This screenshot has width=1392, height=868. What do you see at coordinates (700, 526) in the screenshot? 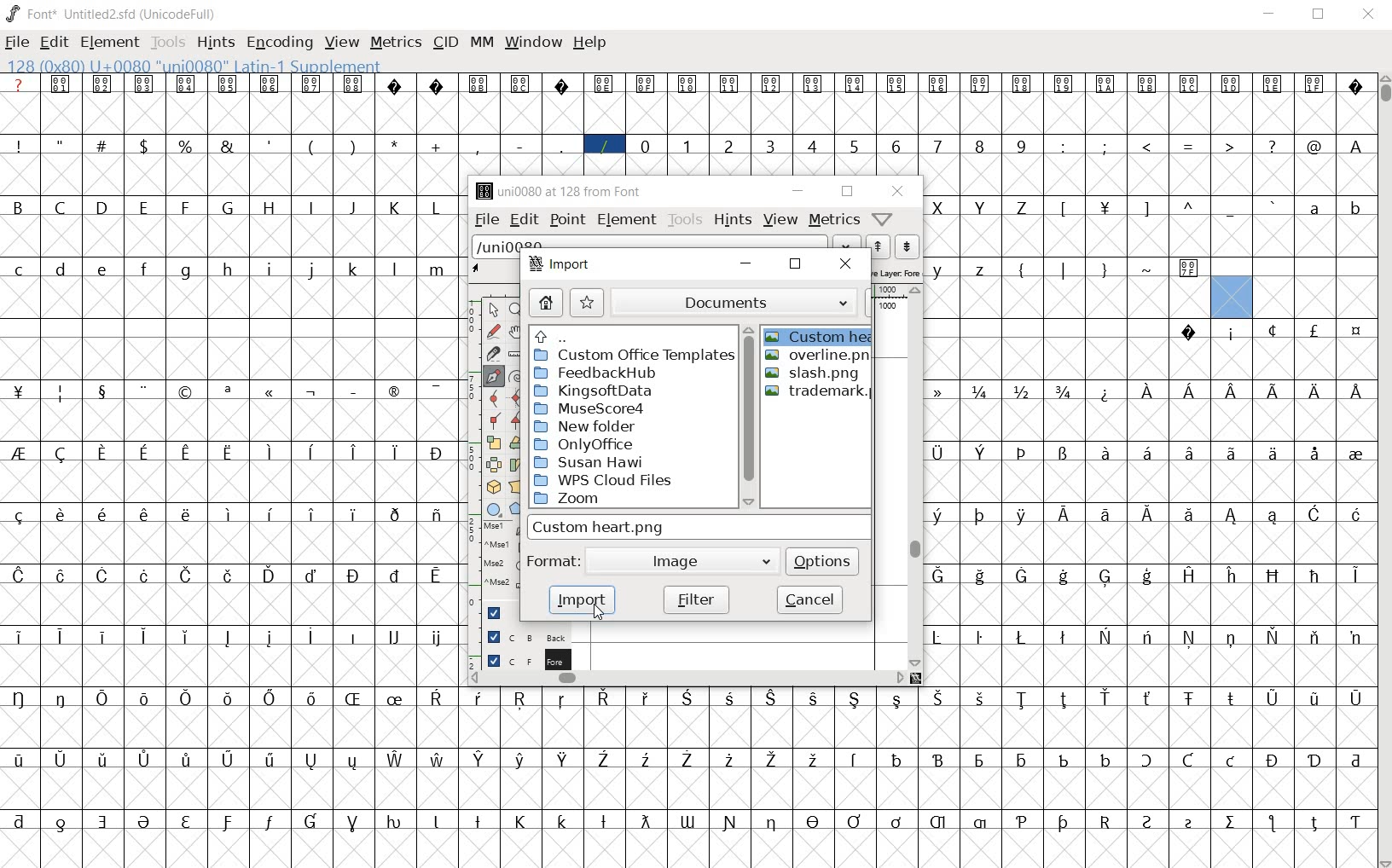
I see `input field` at bounding box center [700, 526].